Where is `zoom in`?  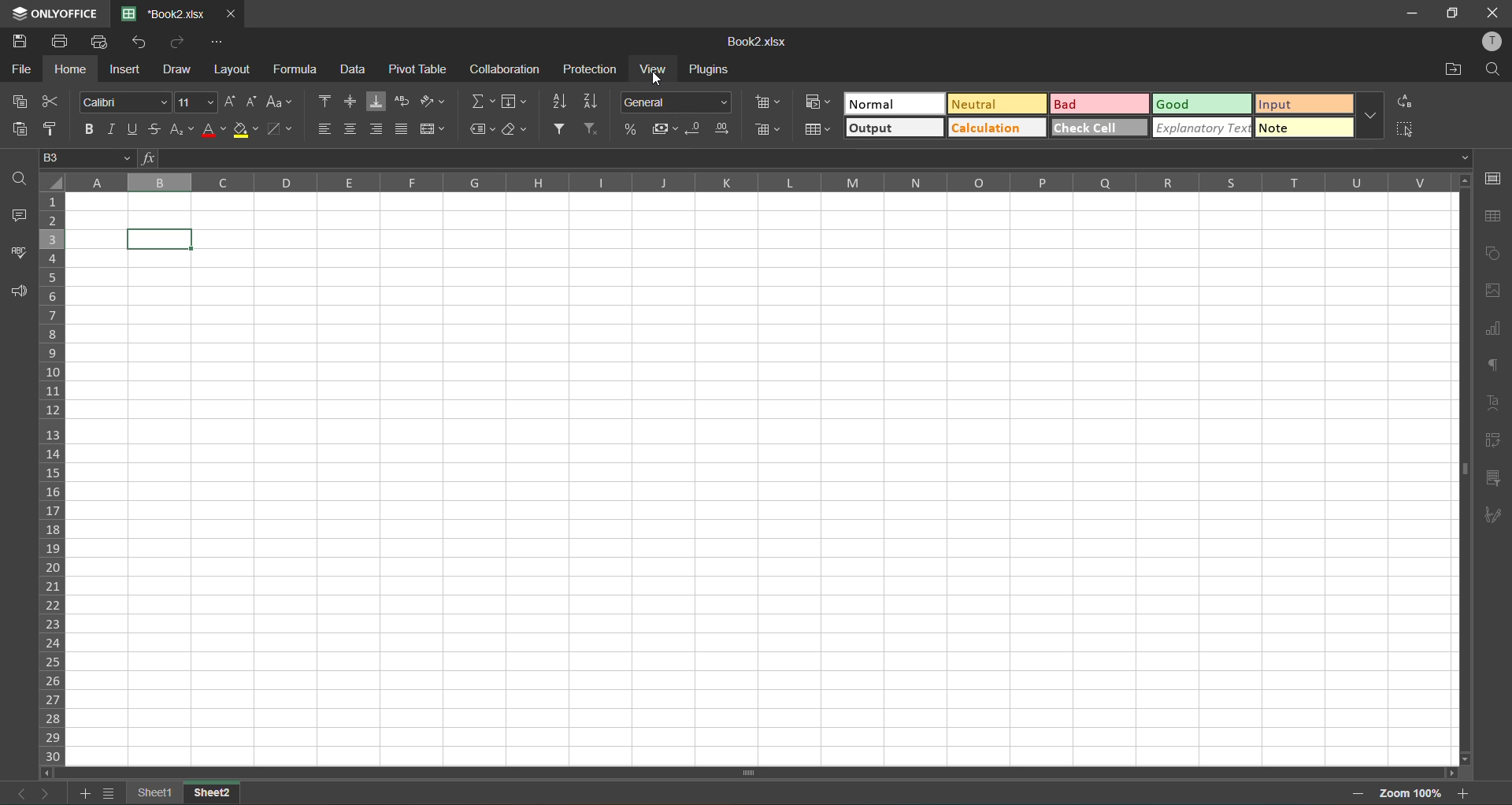
zoom in is located at coordinates (1466, 793).